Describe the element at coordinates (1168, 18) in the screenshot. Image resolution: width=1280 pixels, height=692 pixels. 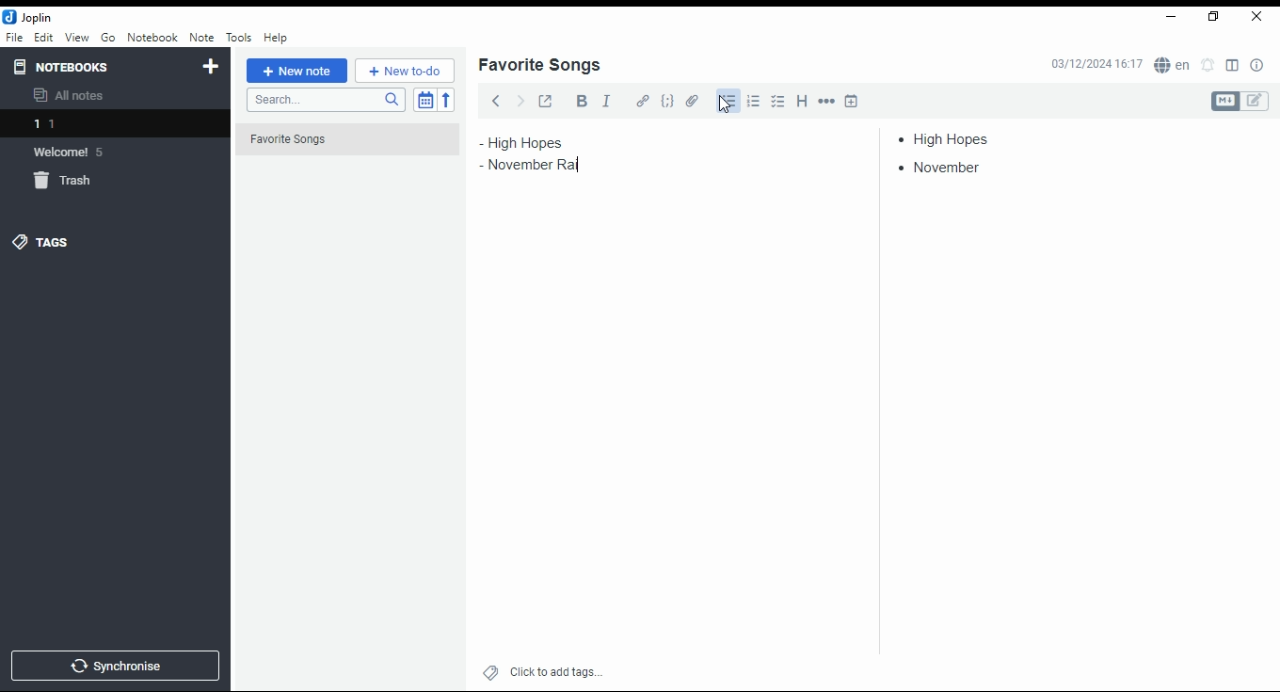
I see `minimize` at that location.